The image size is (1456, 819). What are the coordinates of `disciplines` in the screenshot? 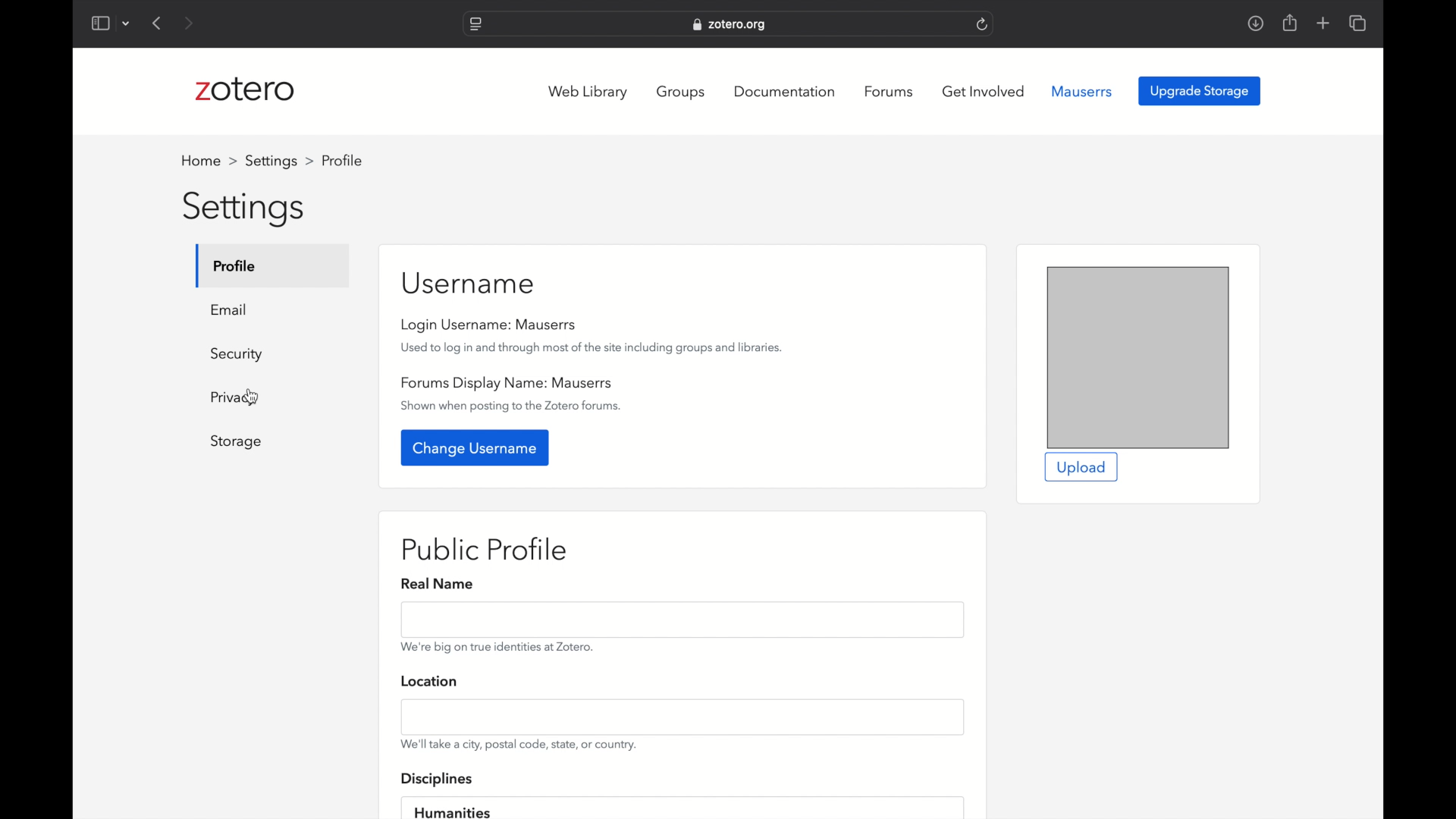 It's located at (438, 780).